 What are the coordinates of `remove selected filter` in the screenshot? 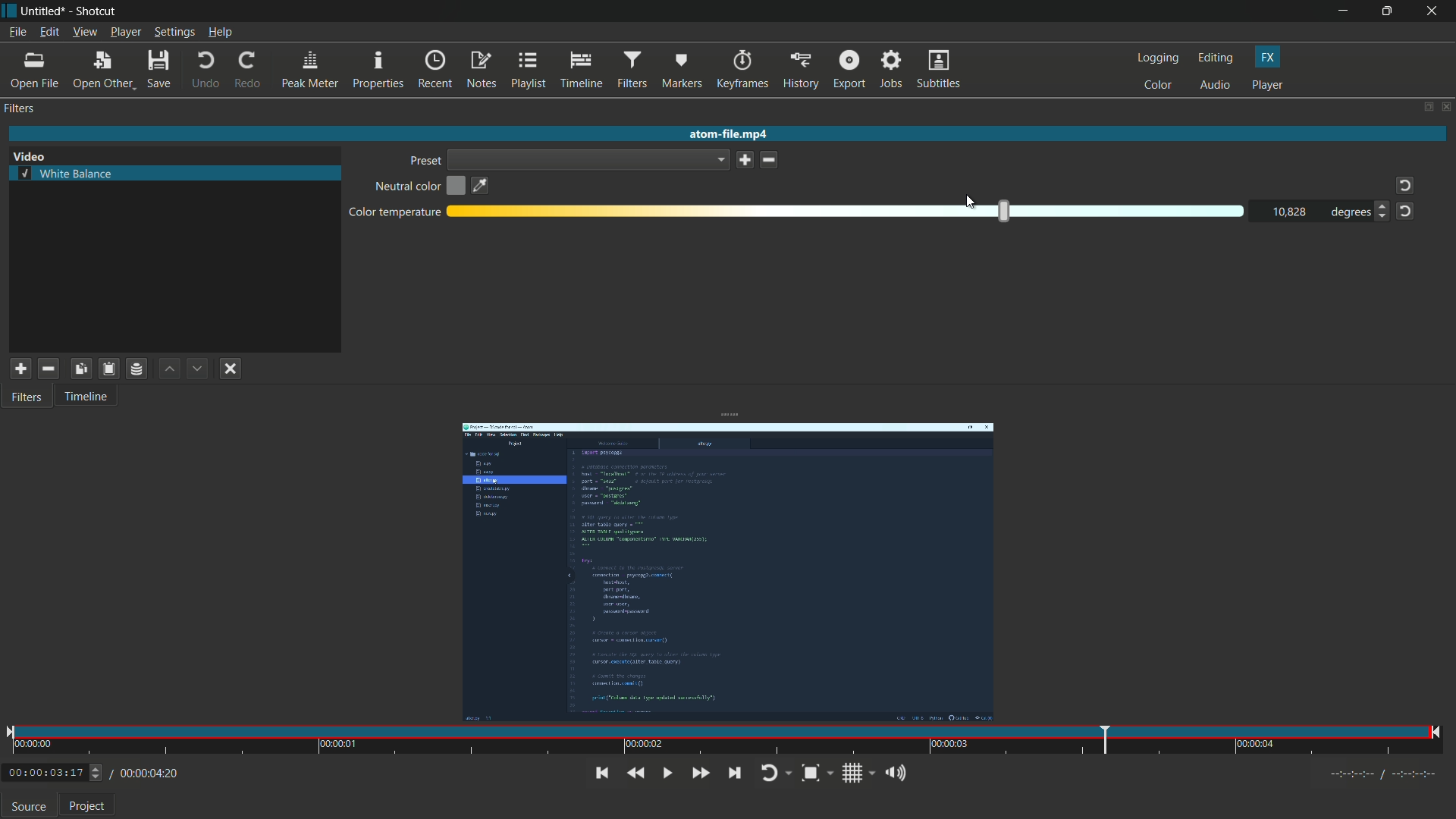 It's located at (49, 369).